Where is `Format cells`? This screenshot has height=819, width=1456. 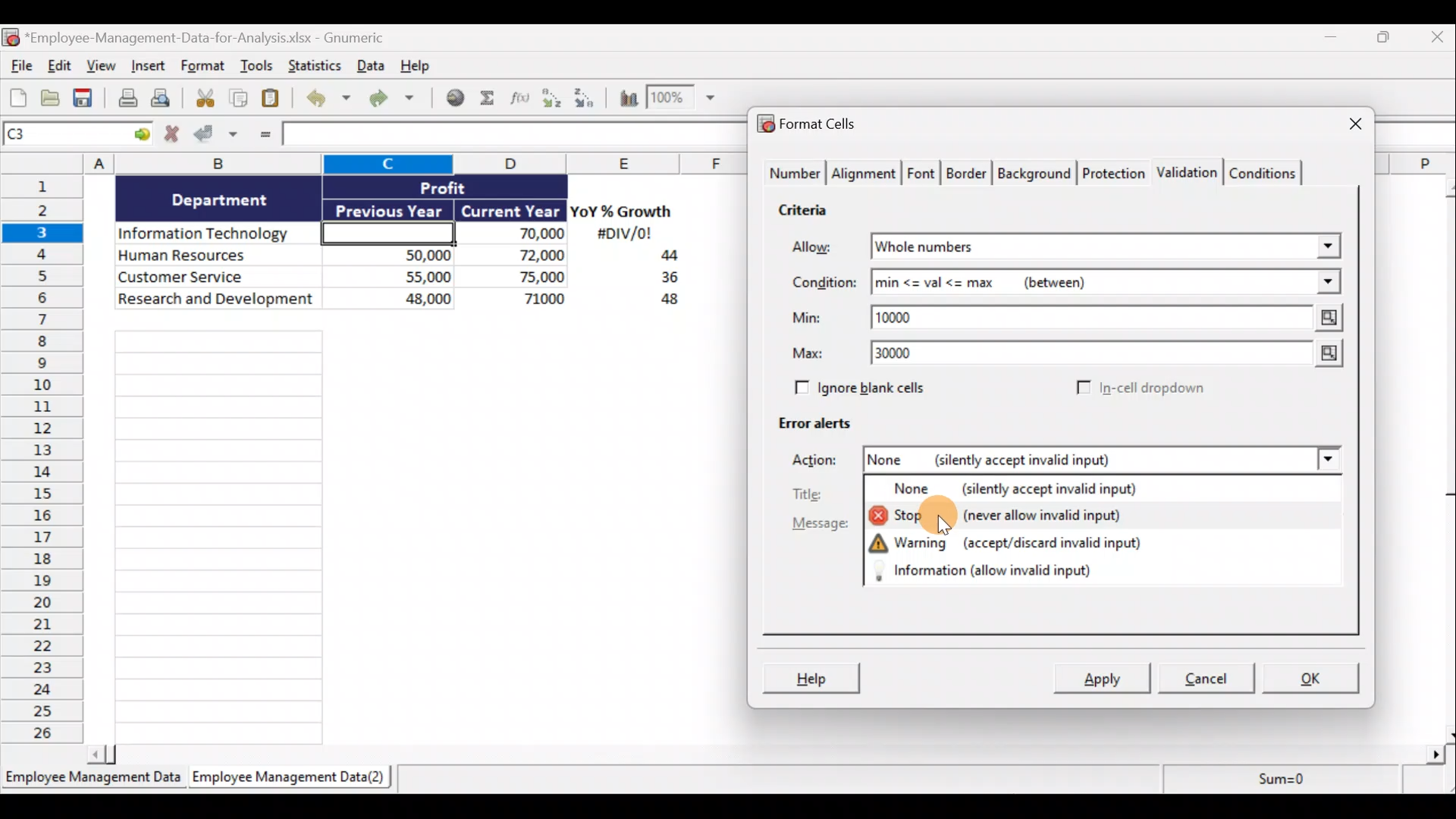
Format cells is located at coordinates (811, 126).